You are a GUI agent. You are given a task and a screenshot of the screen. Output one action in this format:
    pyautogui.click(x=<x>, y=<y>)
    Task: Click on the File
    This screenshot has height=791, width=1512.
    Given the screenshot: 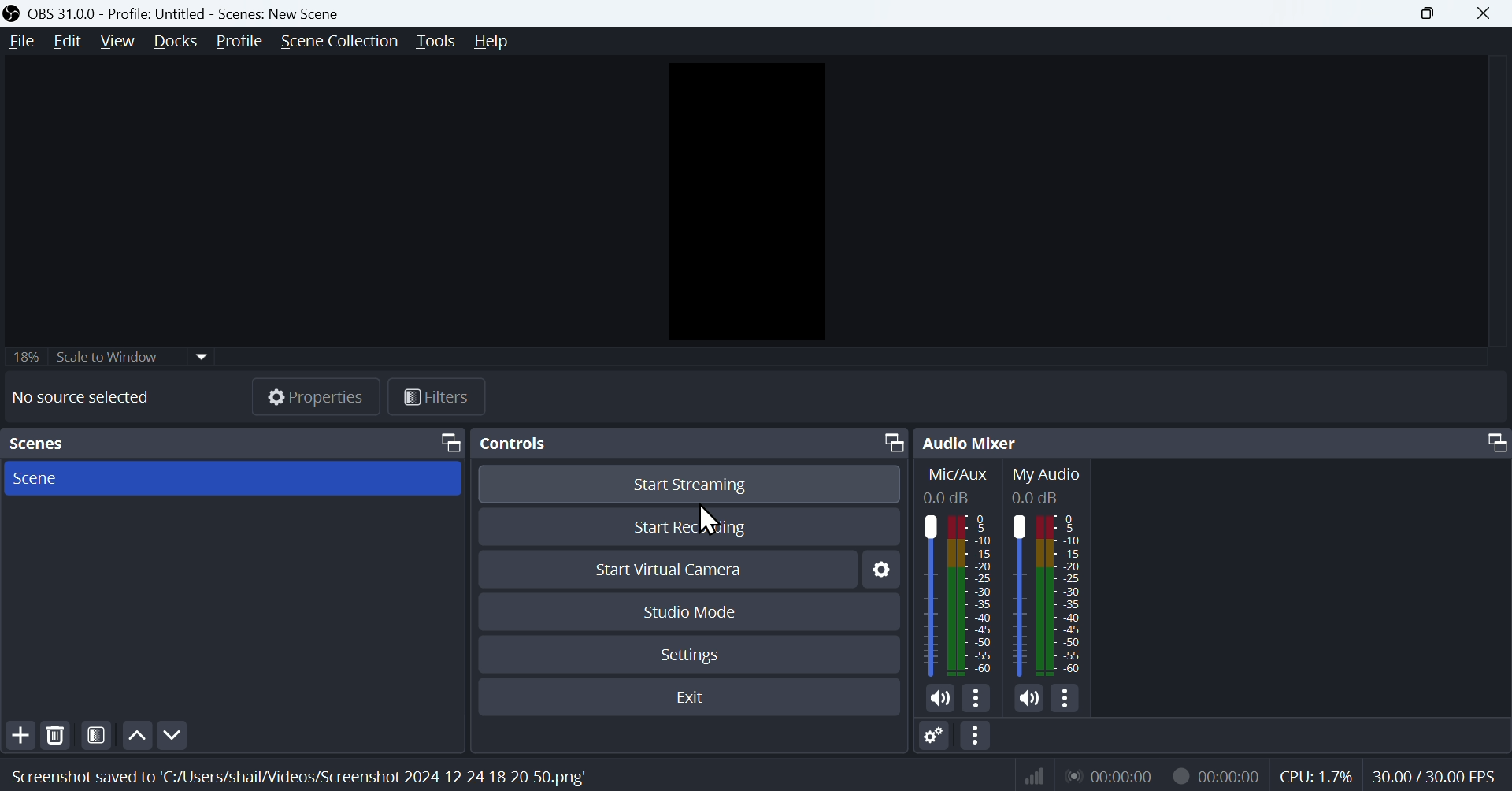 What is the action you would take?
    pyautogui.click(x=18, y=43)
    